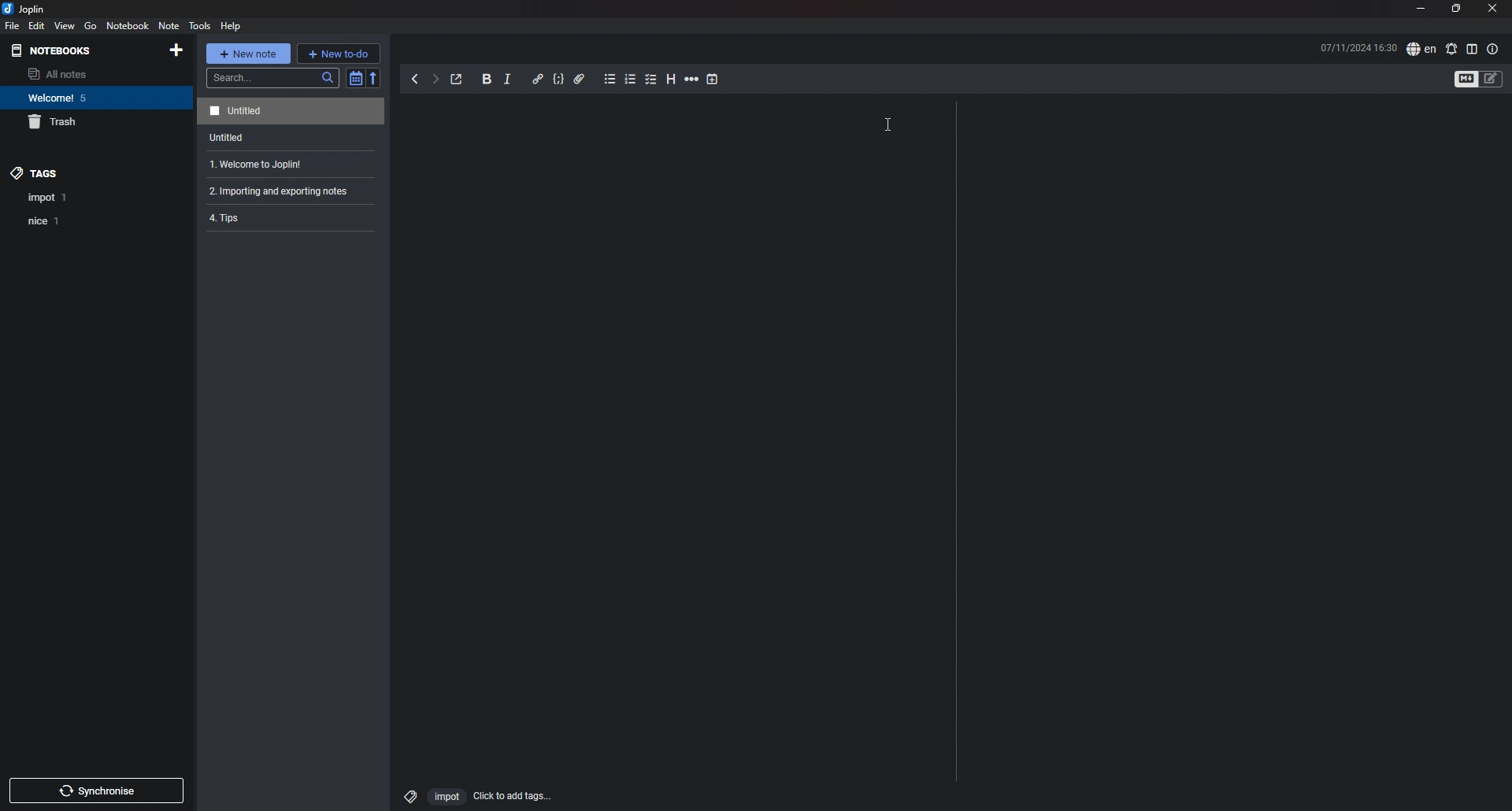  I want to click on Synchronize, so click(99, 793).